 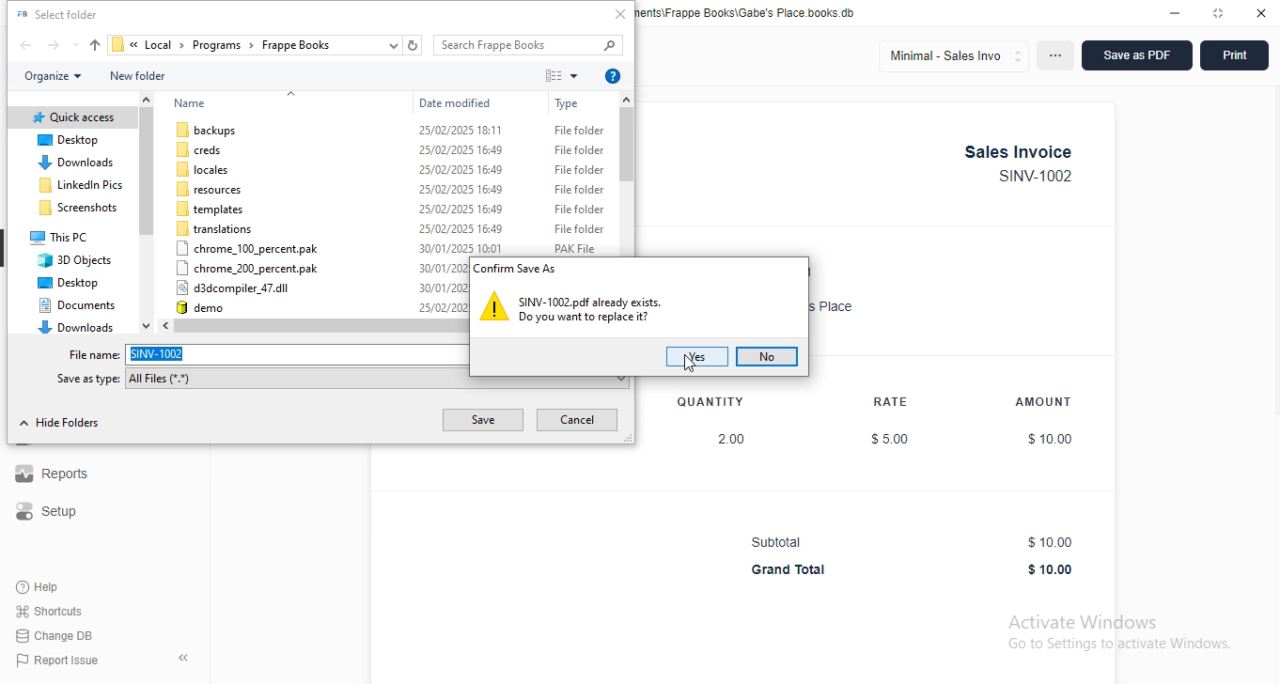 I want to click on documents, so click(x=77, y=305).